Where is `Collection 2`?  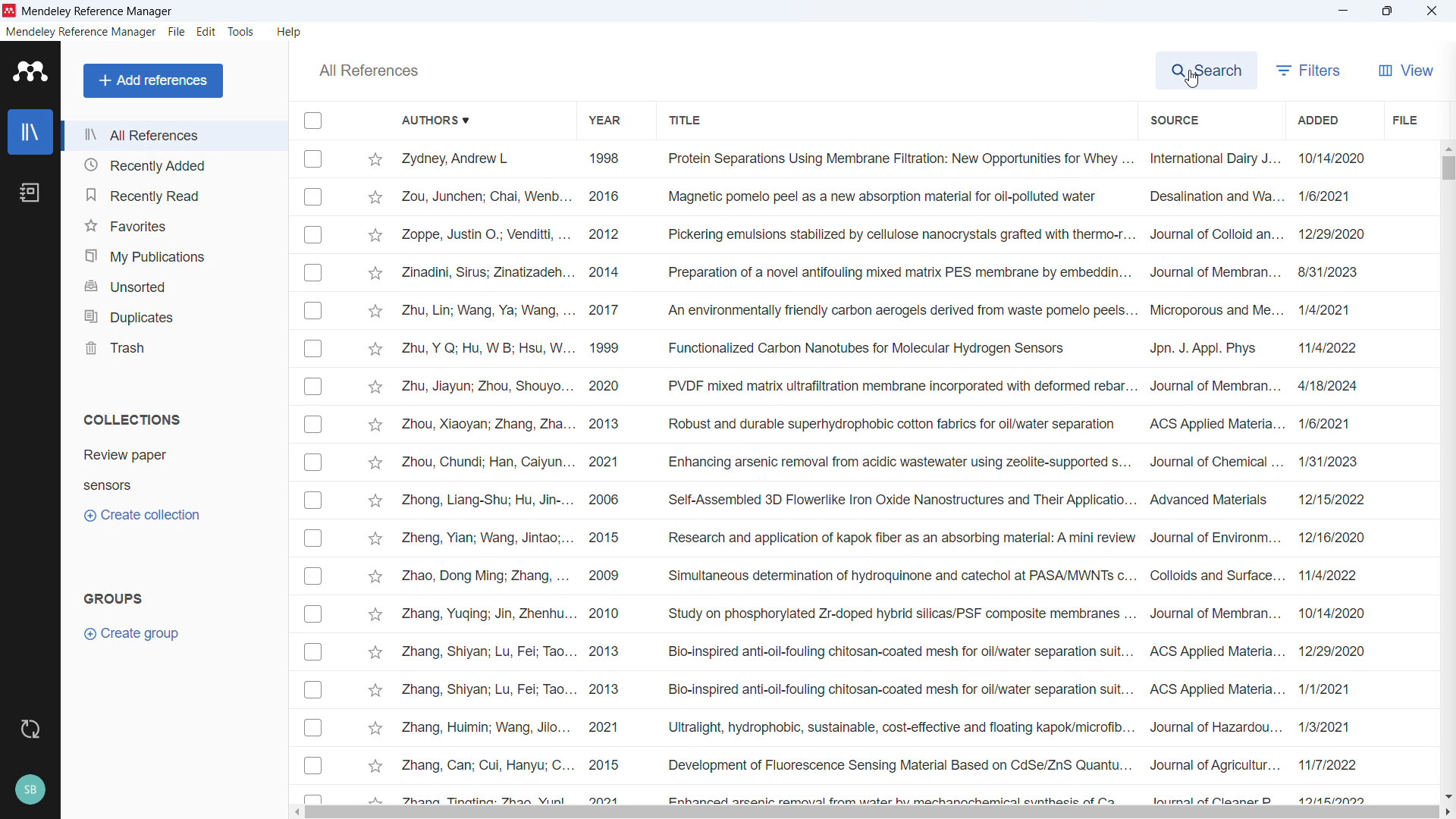 Collection 2 is located at coordinates (107, 486).